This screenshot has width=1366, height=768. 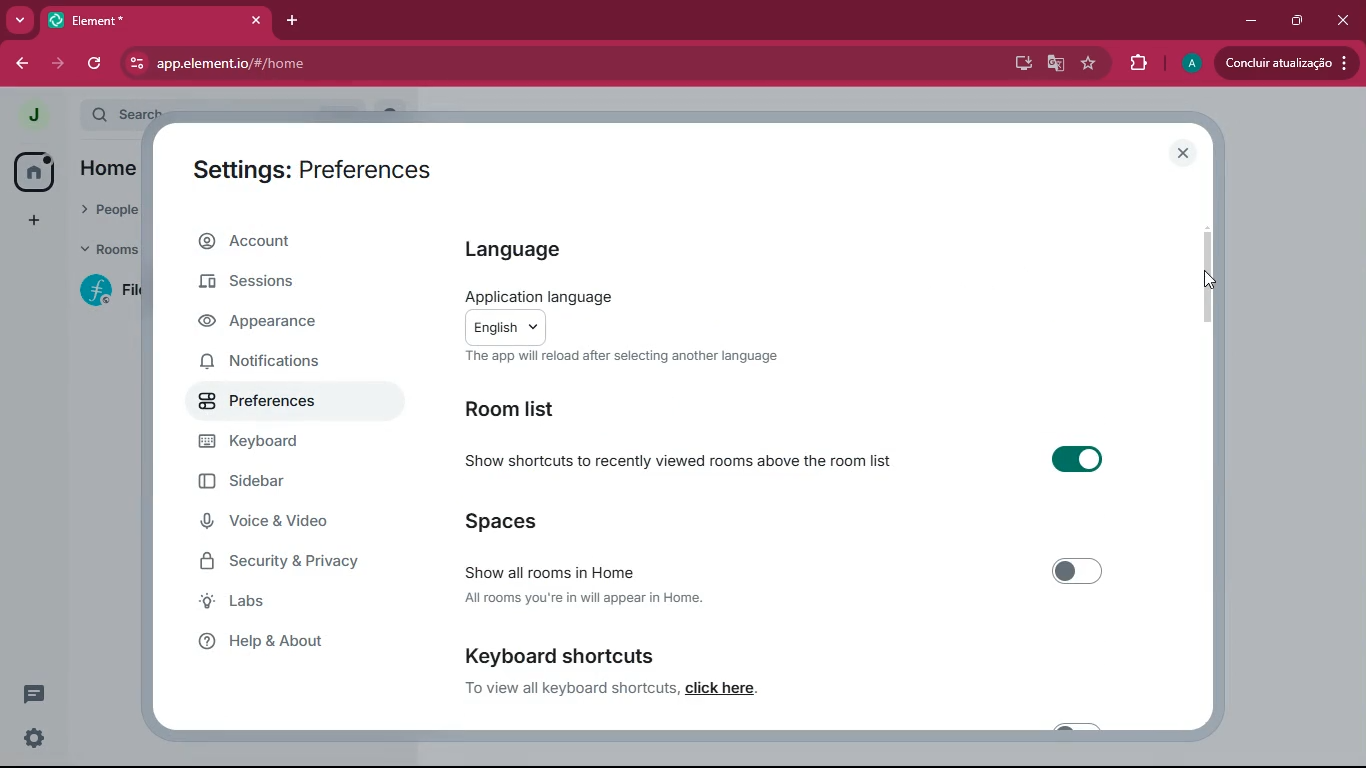 I want to click on close, so click(x=1345, y=23).